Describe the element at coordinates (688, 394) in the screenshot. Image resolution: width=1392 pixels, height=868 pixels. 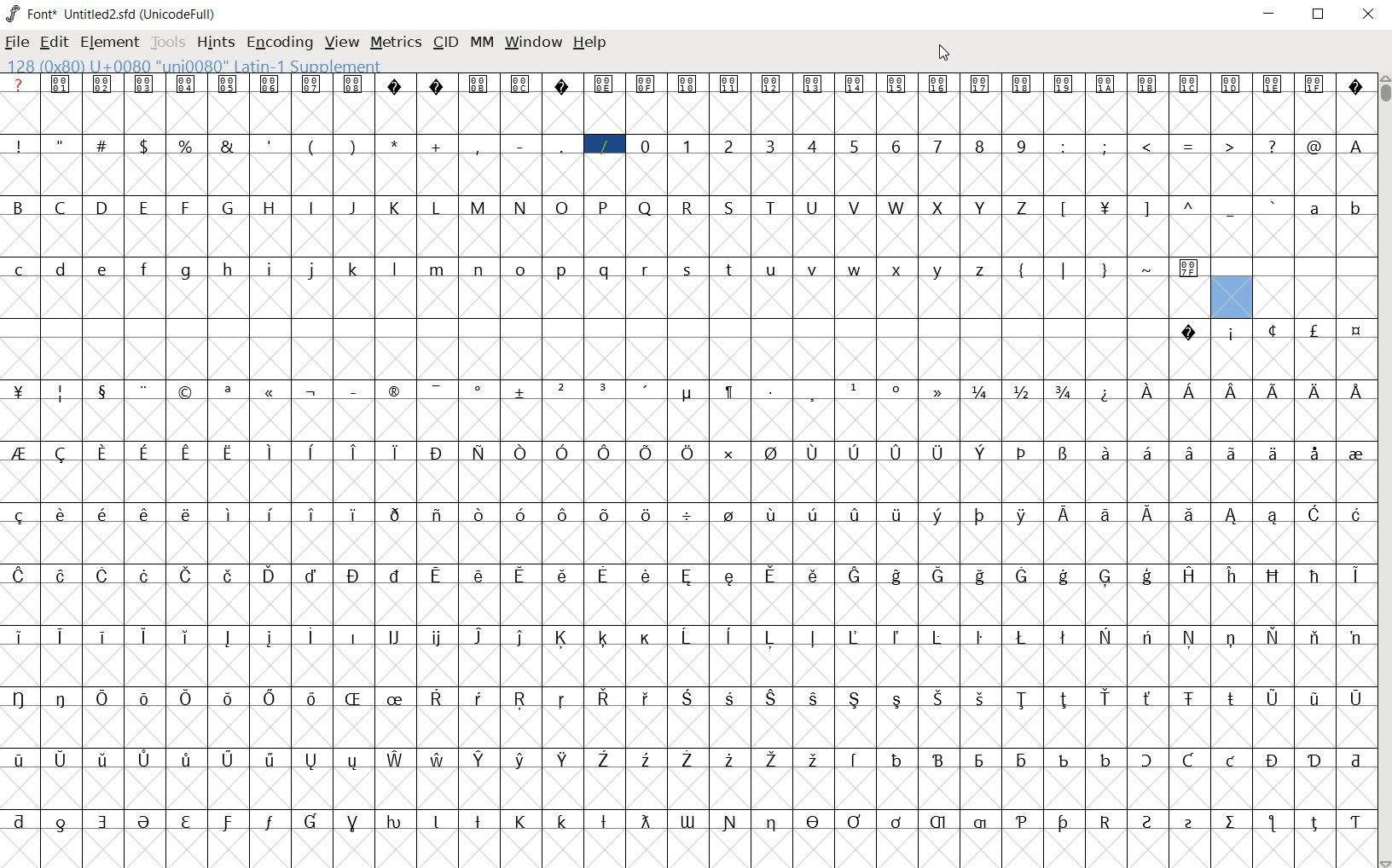
I see `glyph` at that location.